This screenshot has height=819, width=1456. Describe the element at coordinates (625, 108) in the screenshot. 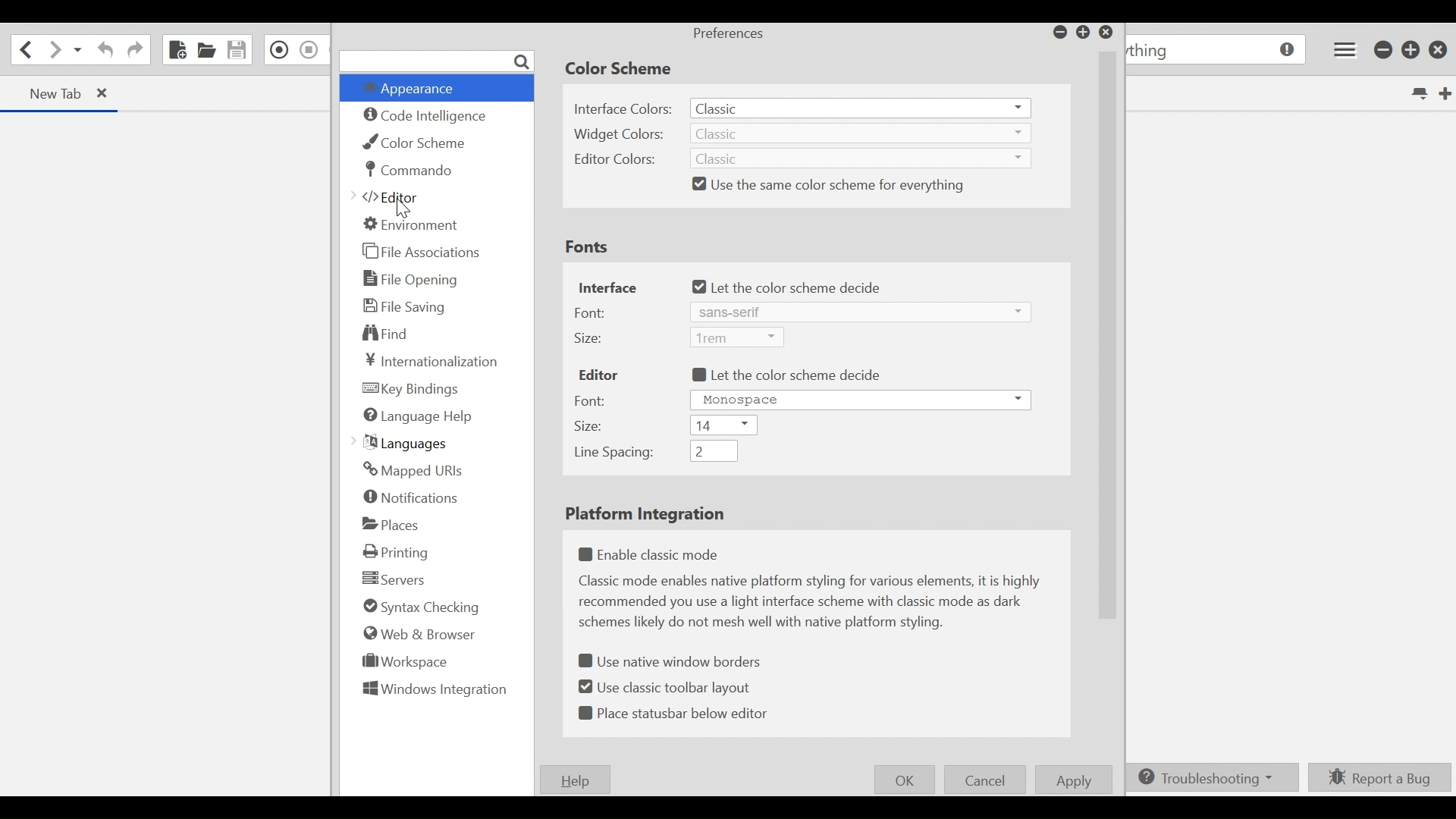

I see `Interface Colors` at that location.